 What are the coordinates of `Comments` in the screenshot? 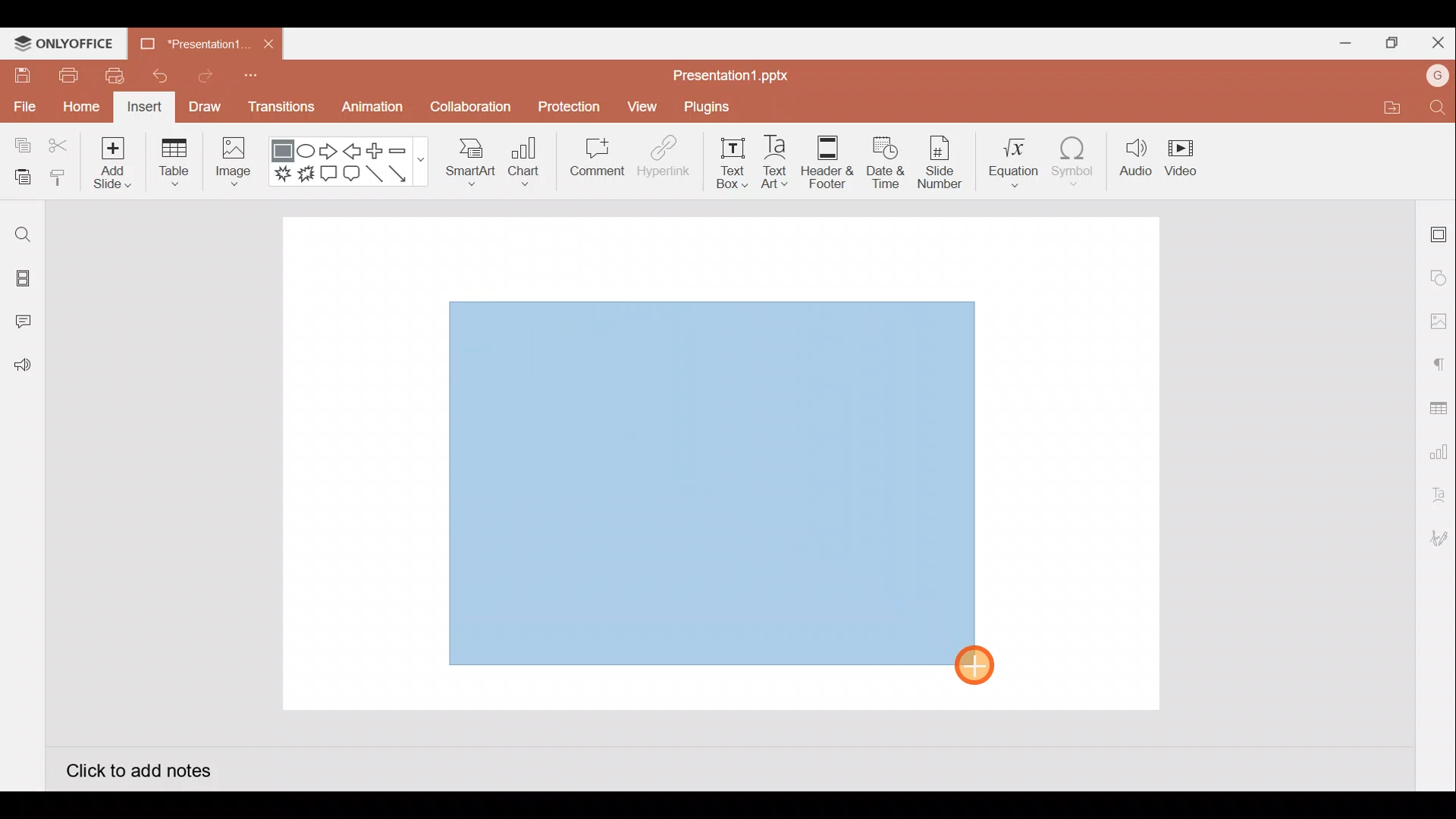 It's located at (27, 323).